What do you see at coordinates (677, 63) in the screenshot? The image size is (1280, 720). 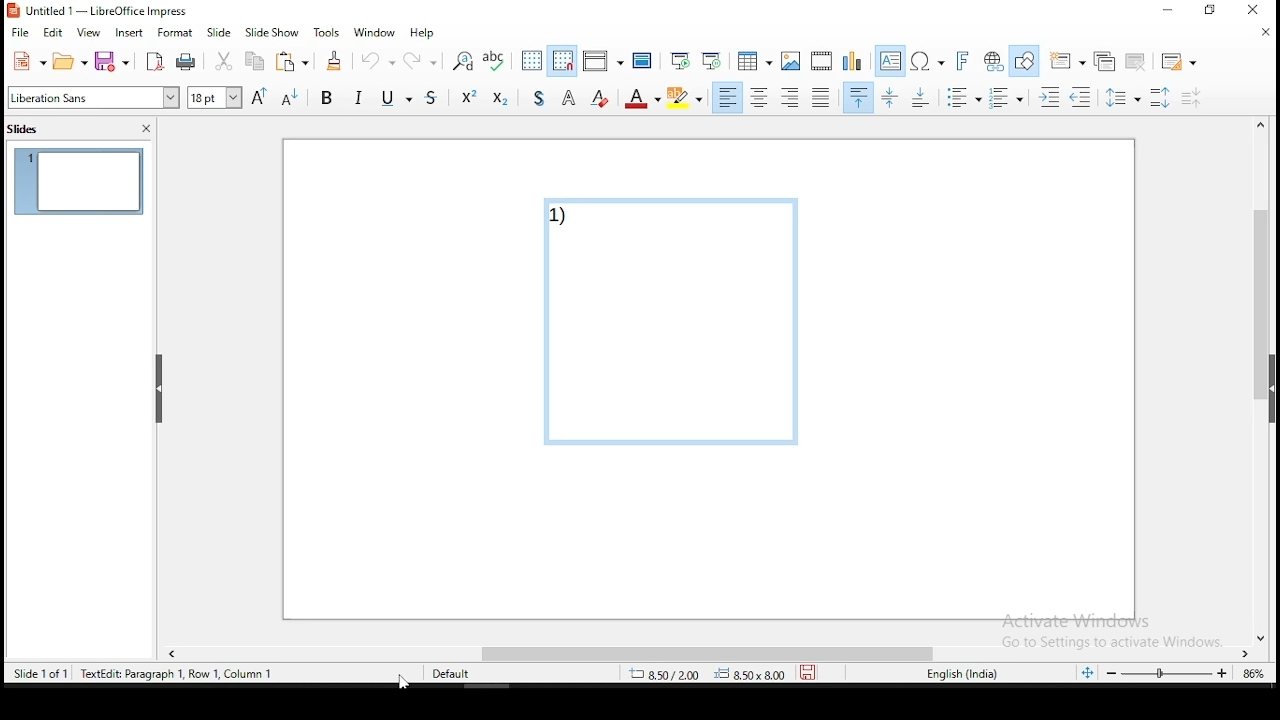 I see `start from first slide` at bounding box center [677, 63].